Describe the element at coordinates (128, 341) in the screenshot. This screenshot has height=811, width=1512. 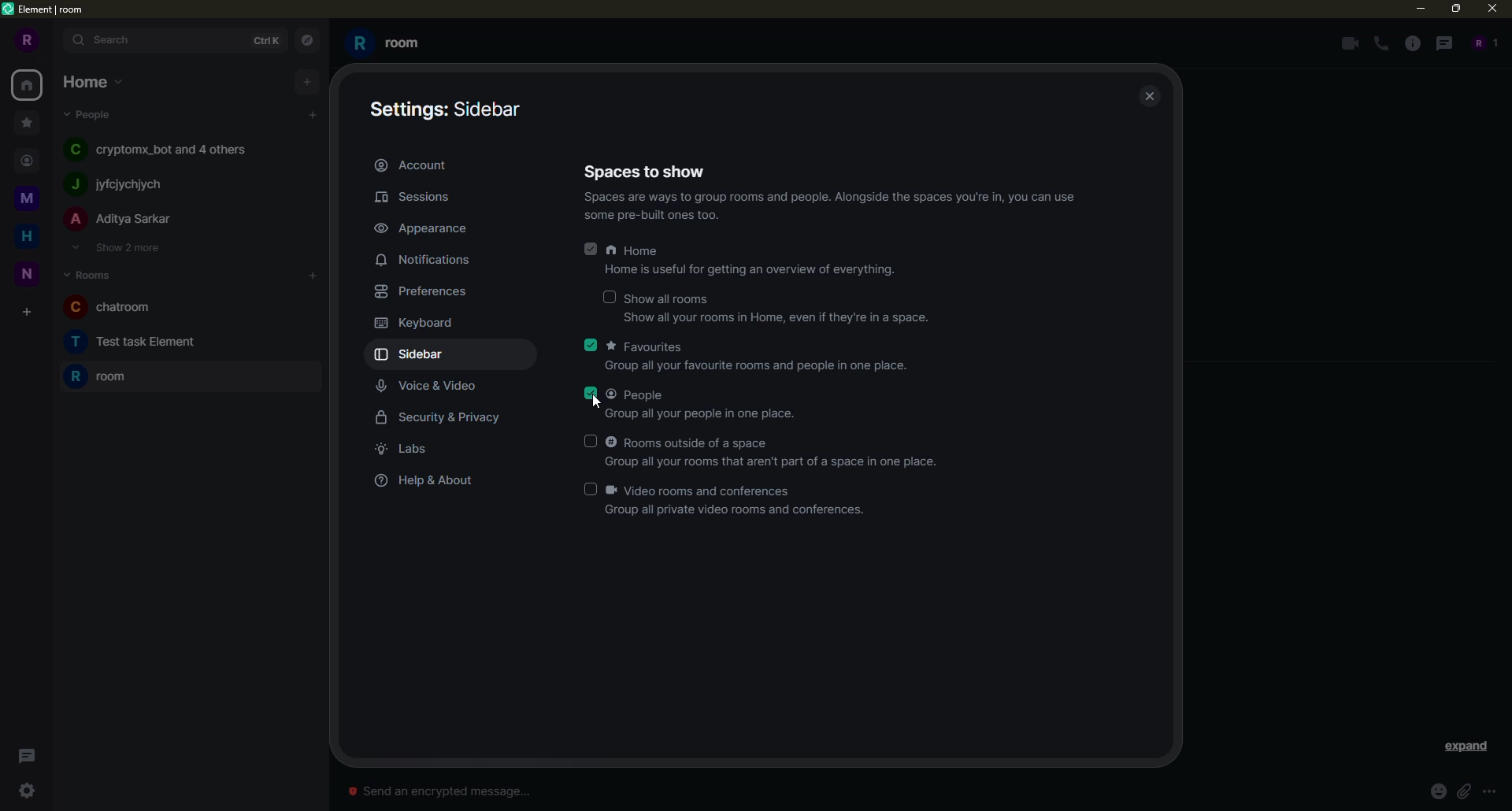
I see `T Test task Element` at that location.